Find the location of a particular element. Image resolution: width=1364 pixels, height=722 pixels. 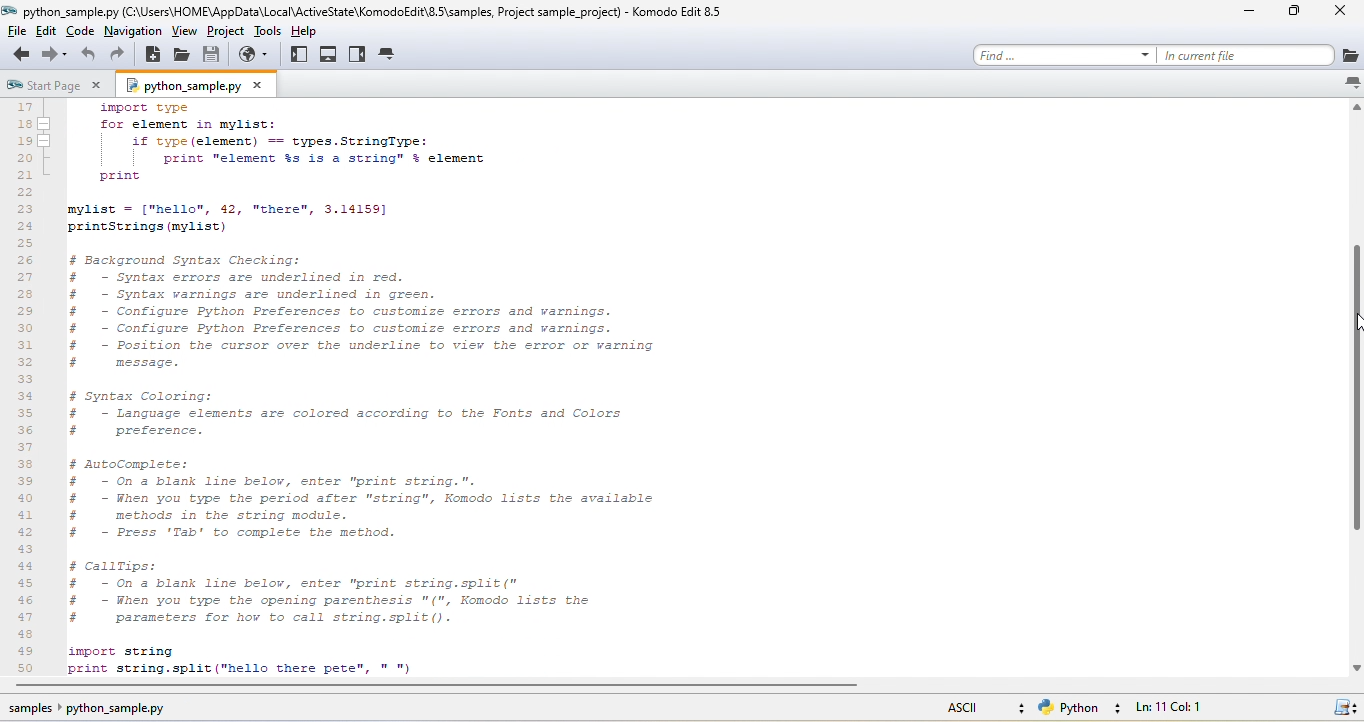

find is located at coordinates (1064, 55).